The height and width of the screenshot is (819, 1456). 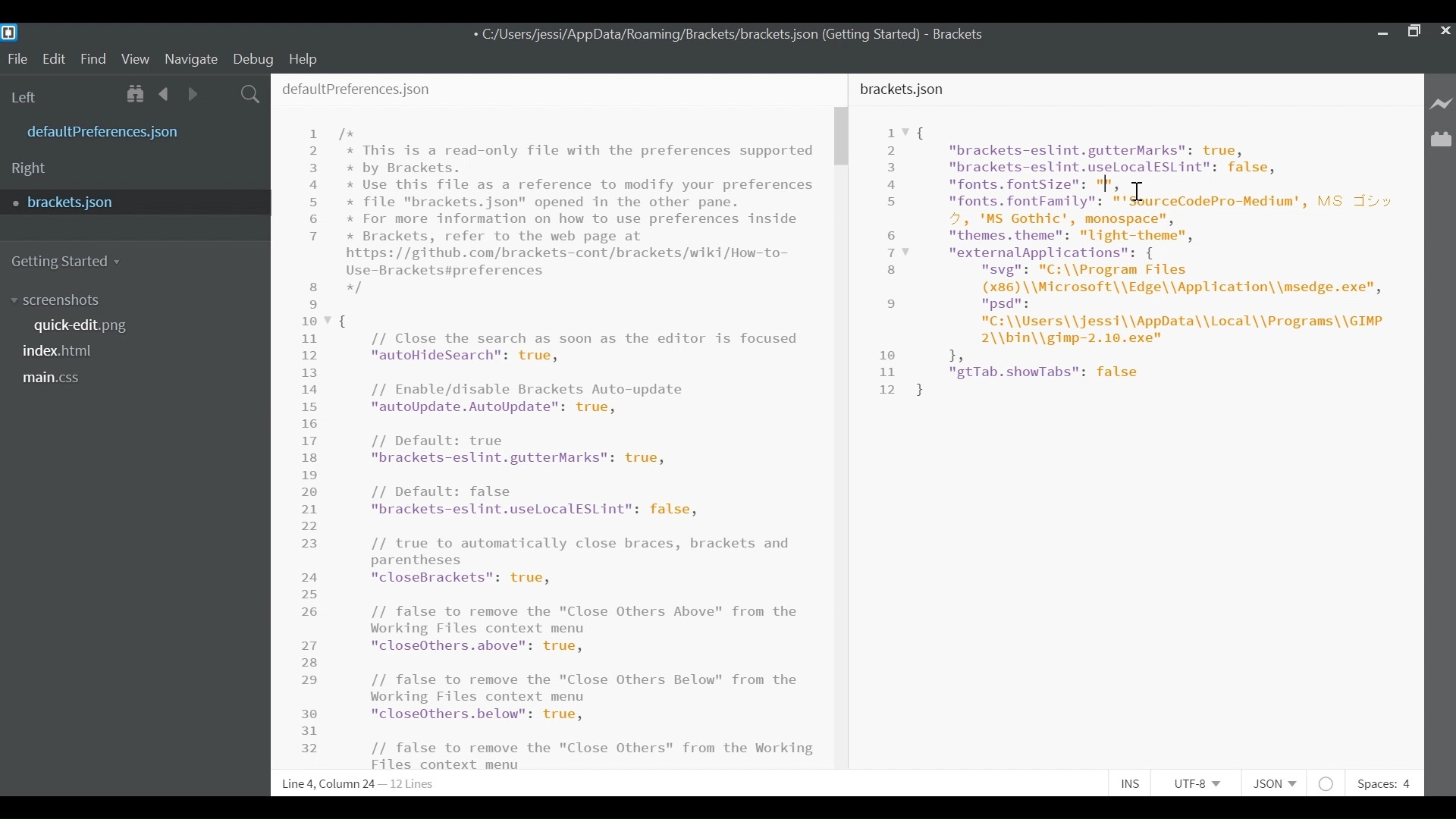 I want to click on Line 6, Column 18 - 12 Lines, so click(x=362, y=784).